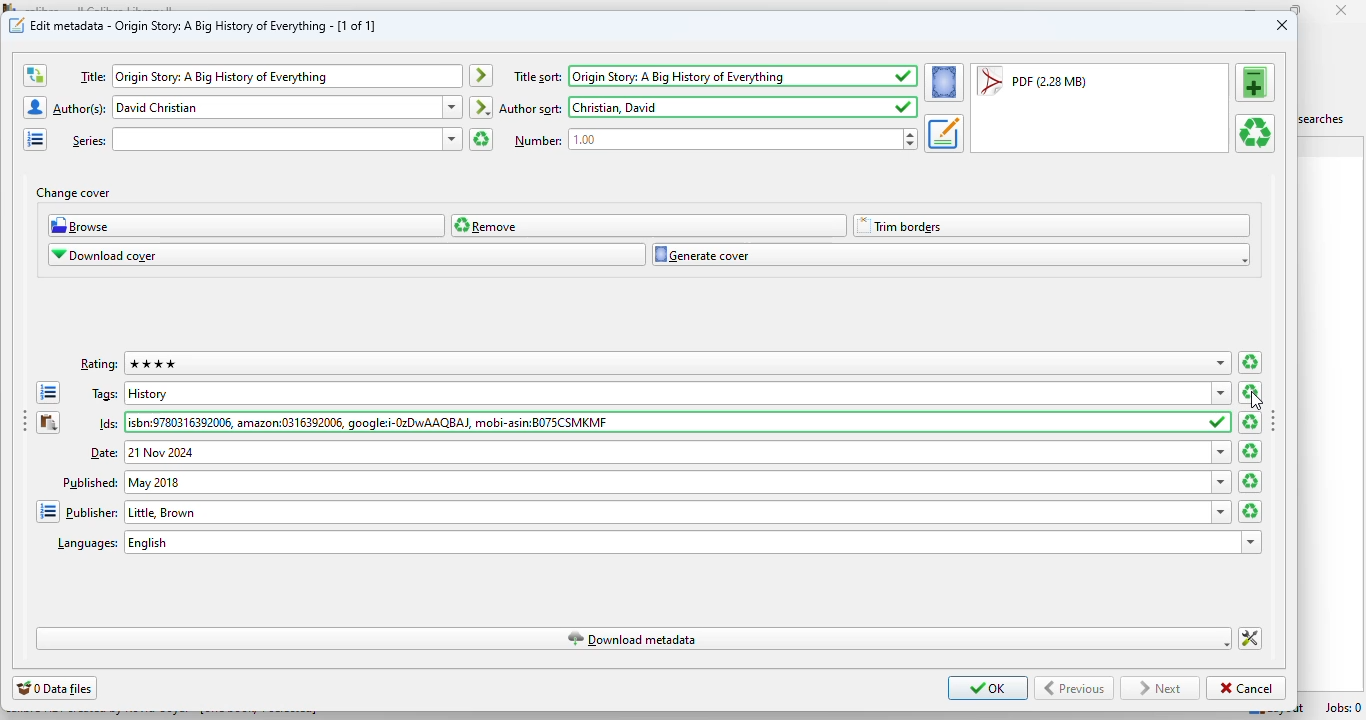 The width and height of the screenshot is (1366, 720). I want to click on published: May 2018, so click(667, 482).